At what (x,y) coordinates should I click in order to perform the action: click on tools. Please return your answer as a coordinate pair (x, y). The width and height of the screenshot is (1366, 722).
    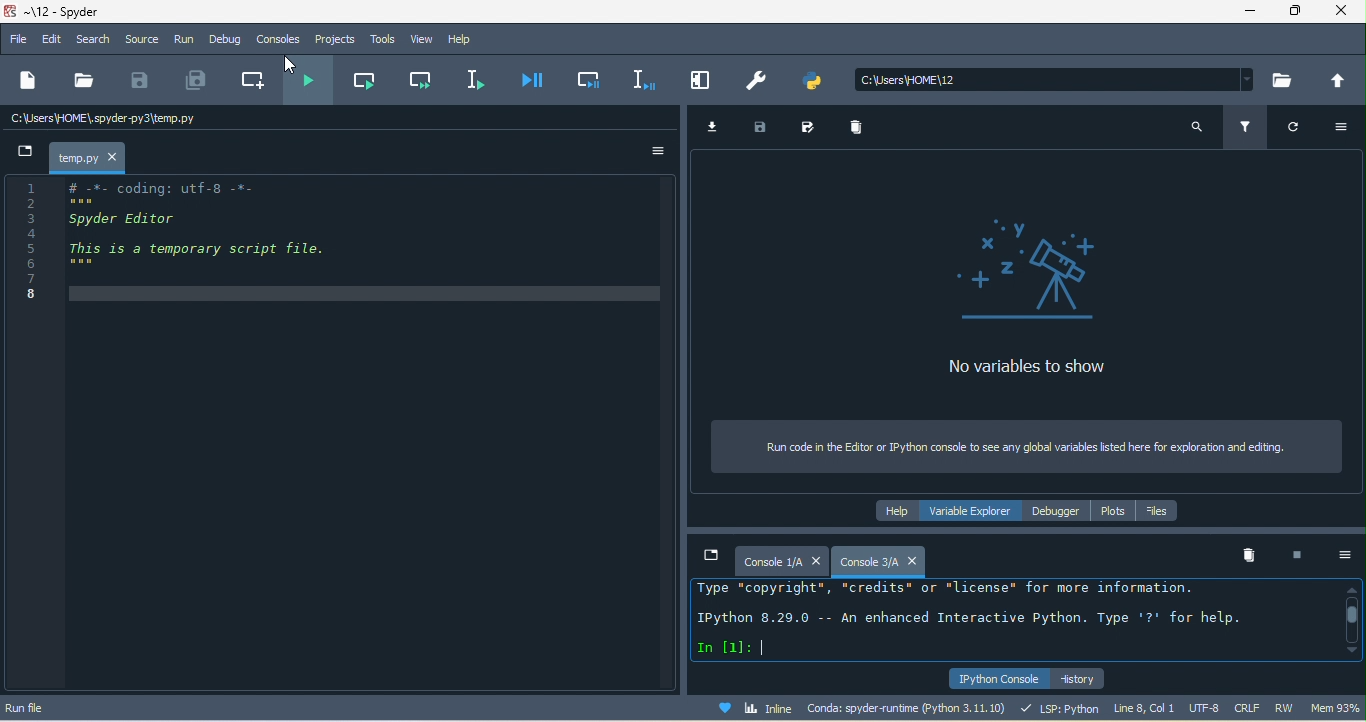
    Looking at the image, I should click on (384, 41).